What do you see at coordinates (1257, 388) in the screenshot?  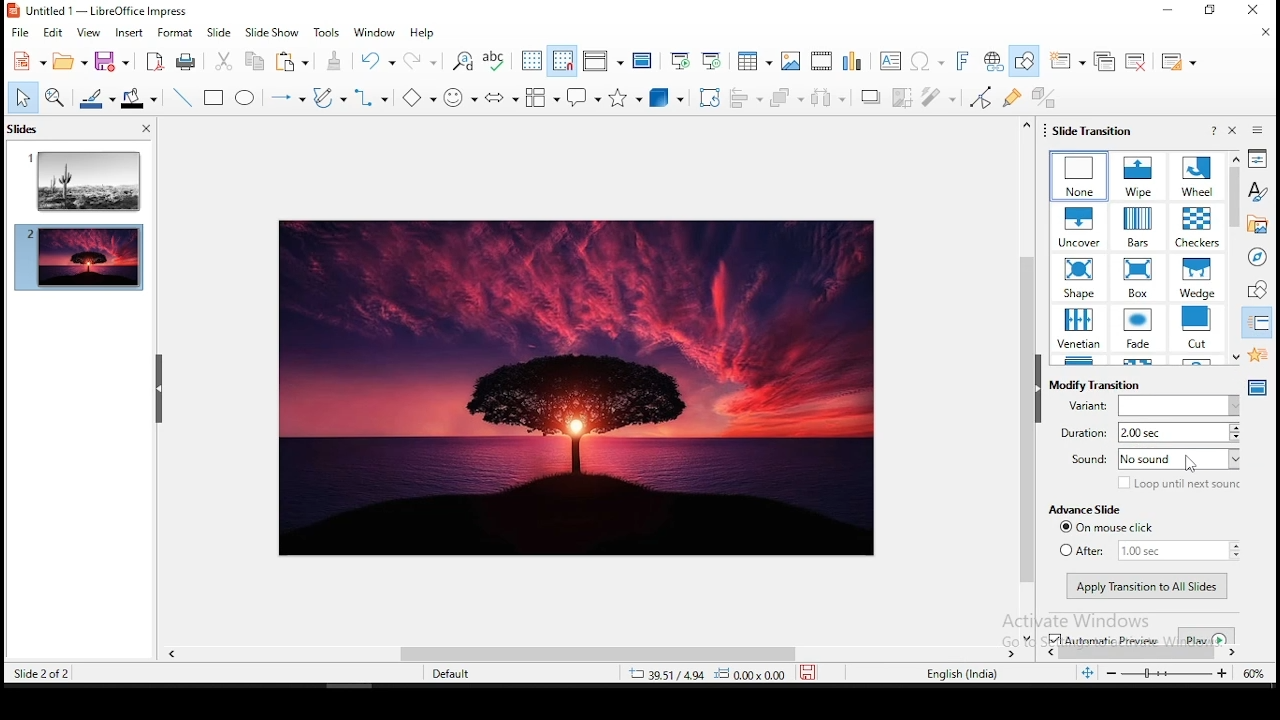 I see `master slides` at bounding box center [1257, 388].